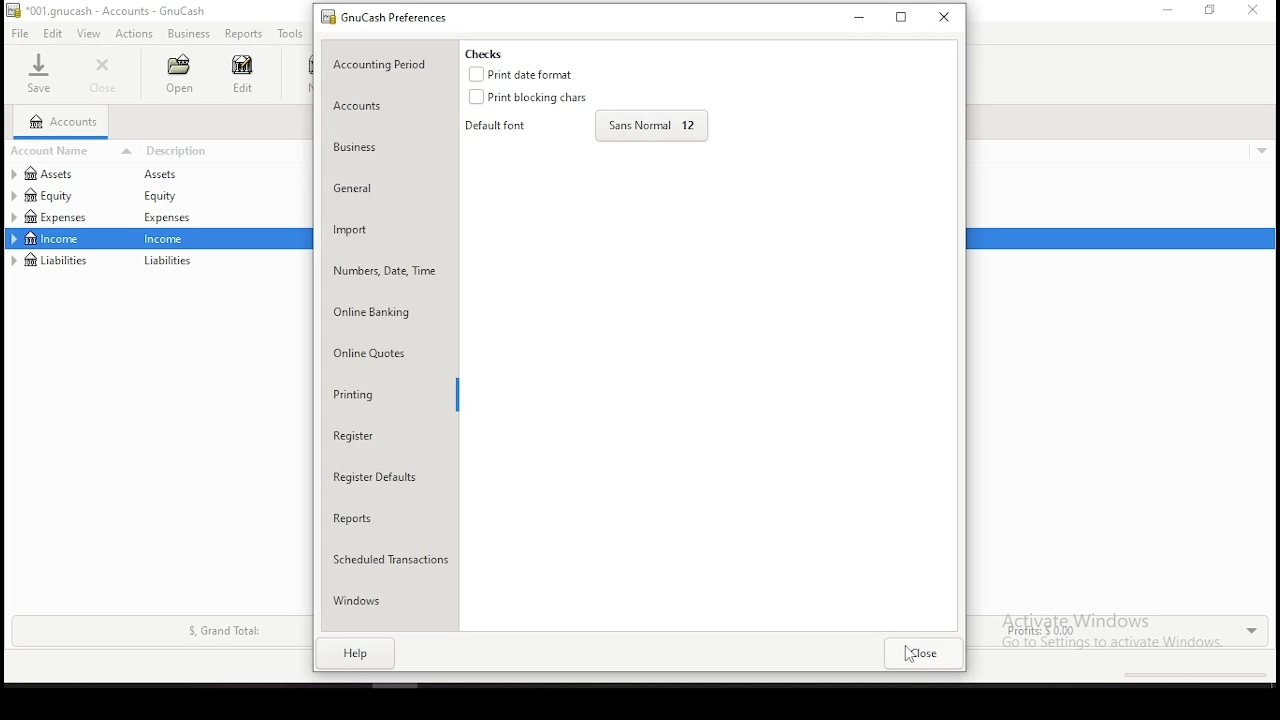  What do you see at coordinates (944, 16) in the screenshot?
I see `close window` at bounding box center [944, 16].